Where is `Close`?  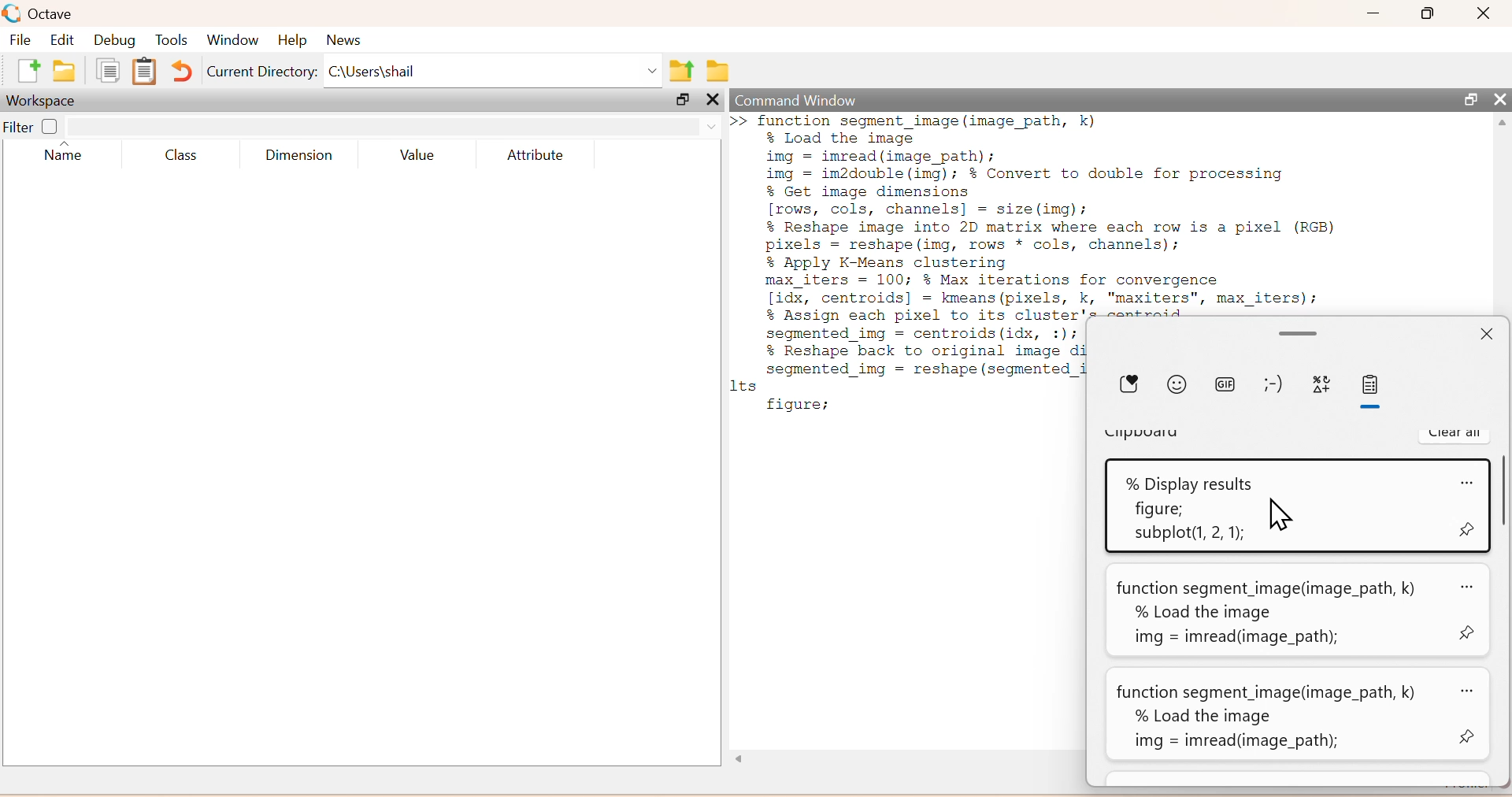 Close is located at coordinates (1484, 332).